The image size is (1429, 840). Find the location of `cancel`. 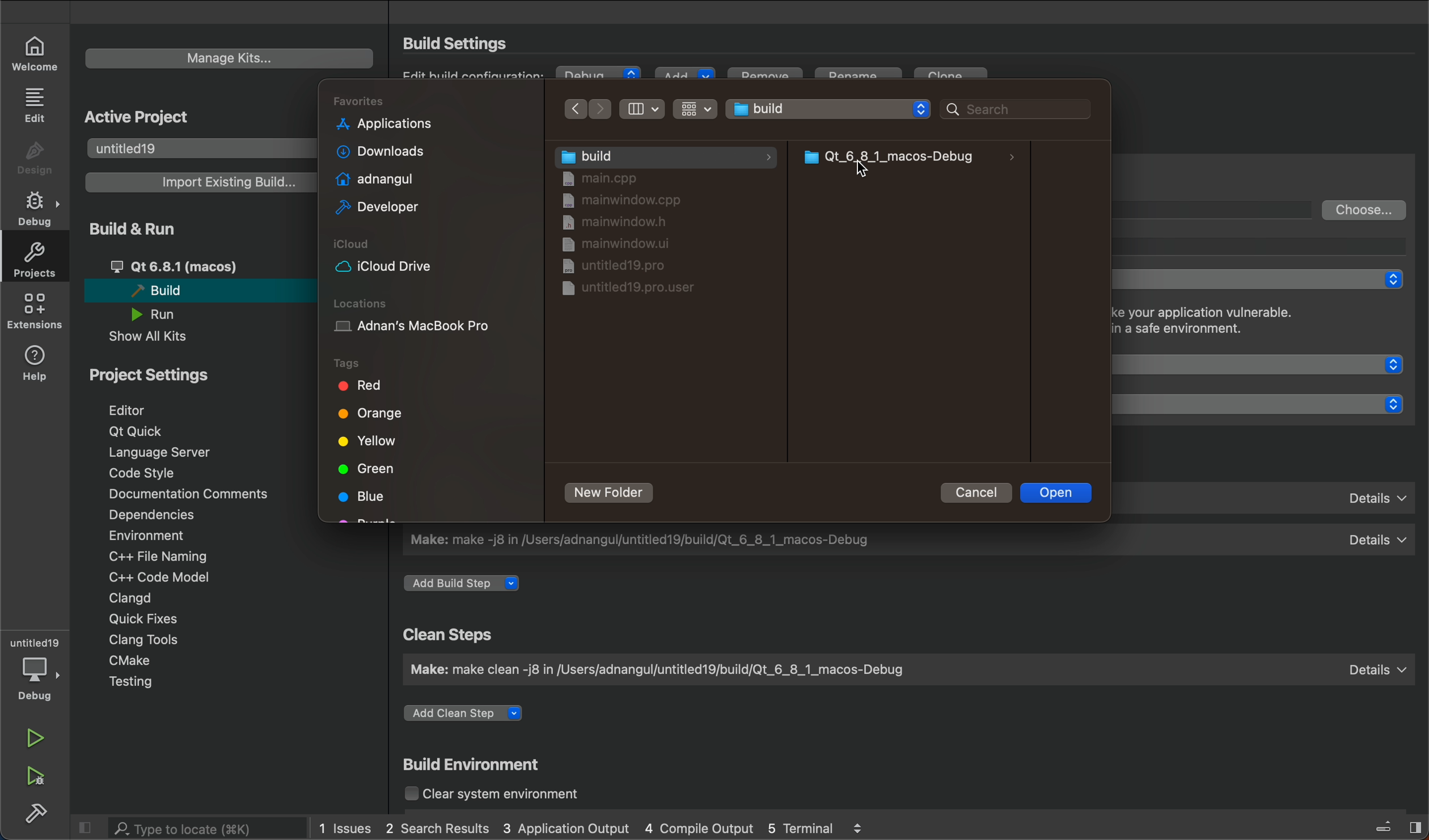

cancel is located at coordinates (972, 492).